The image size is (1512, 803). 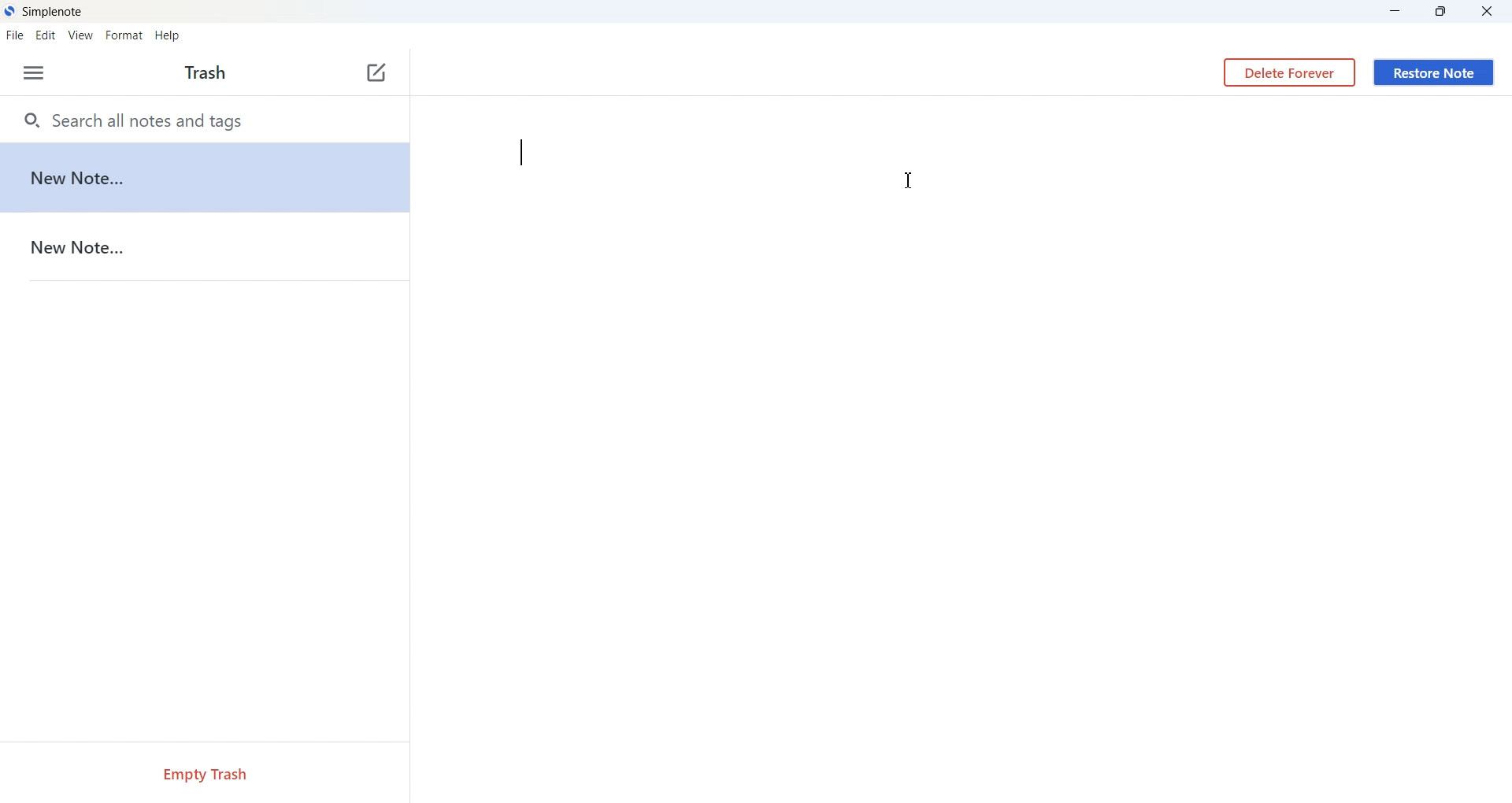 I want to click on File, so click(x=17, y=35).